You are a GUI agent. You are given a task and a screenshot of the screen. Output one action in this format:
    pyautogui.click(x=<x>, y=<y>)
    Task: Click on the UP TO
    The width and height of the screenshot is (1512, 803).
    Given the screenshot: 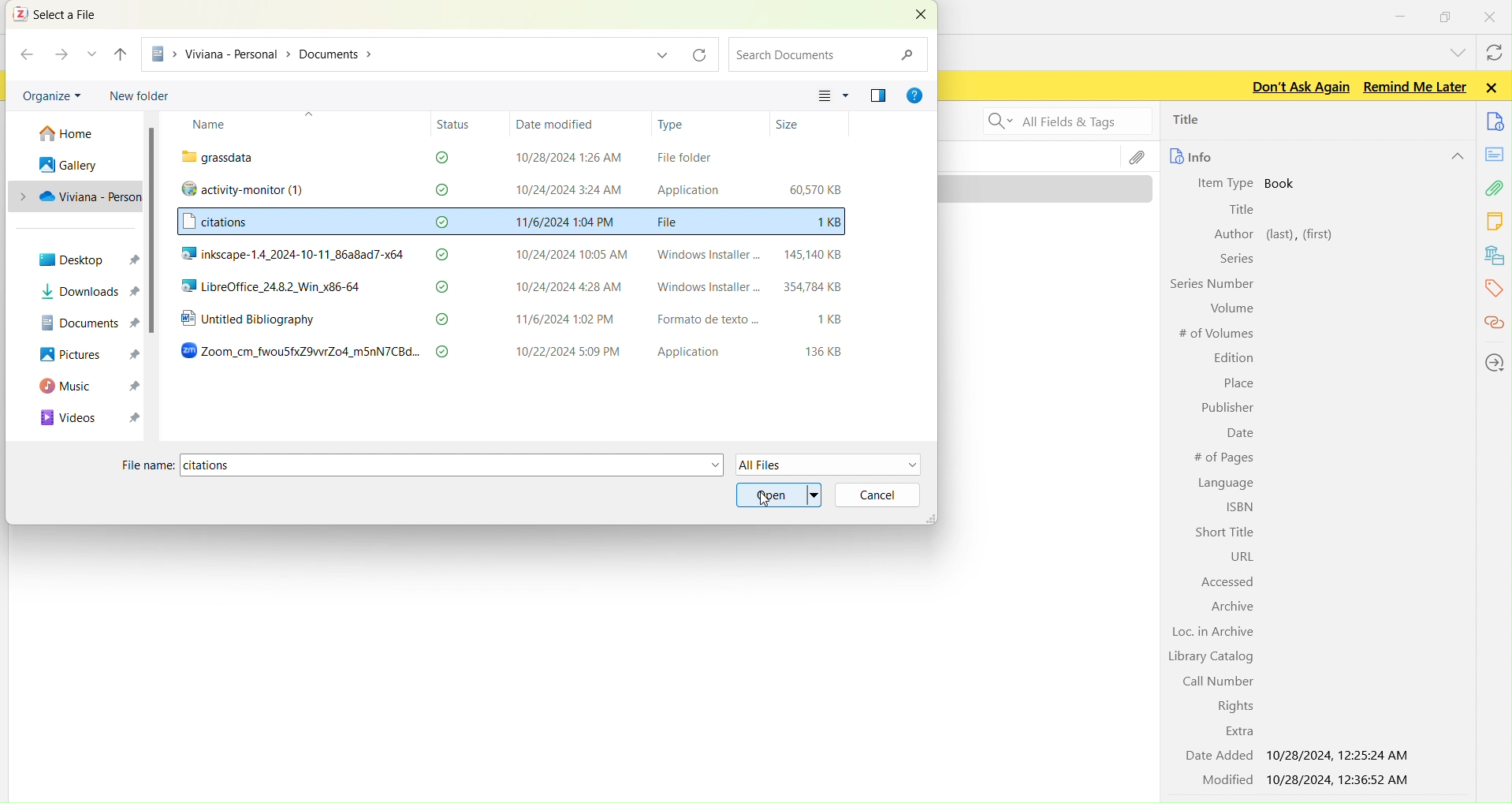 What is the action you would take?
    pyautogui.click(x=121, y=54)
    